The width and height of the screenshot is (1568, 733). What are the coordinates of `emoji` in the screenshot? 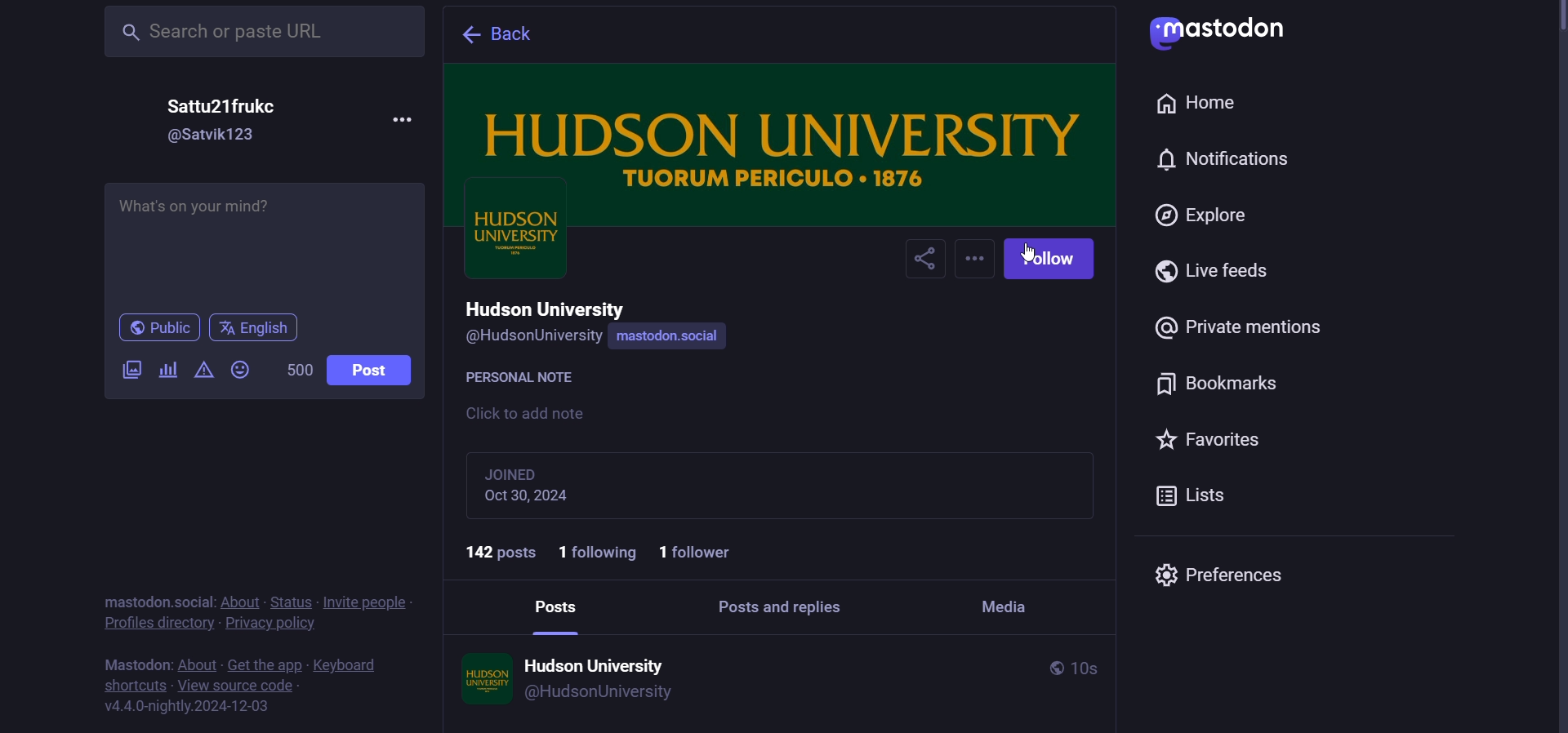 It's located at (239, 371).